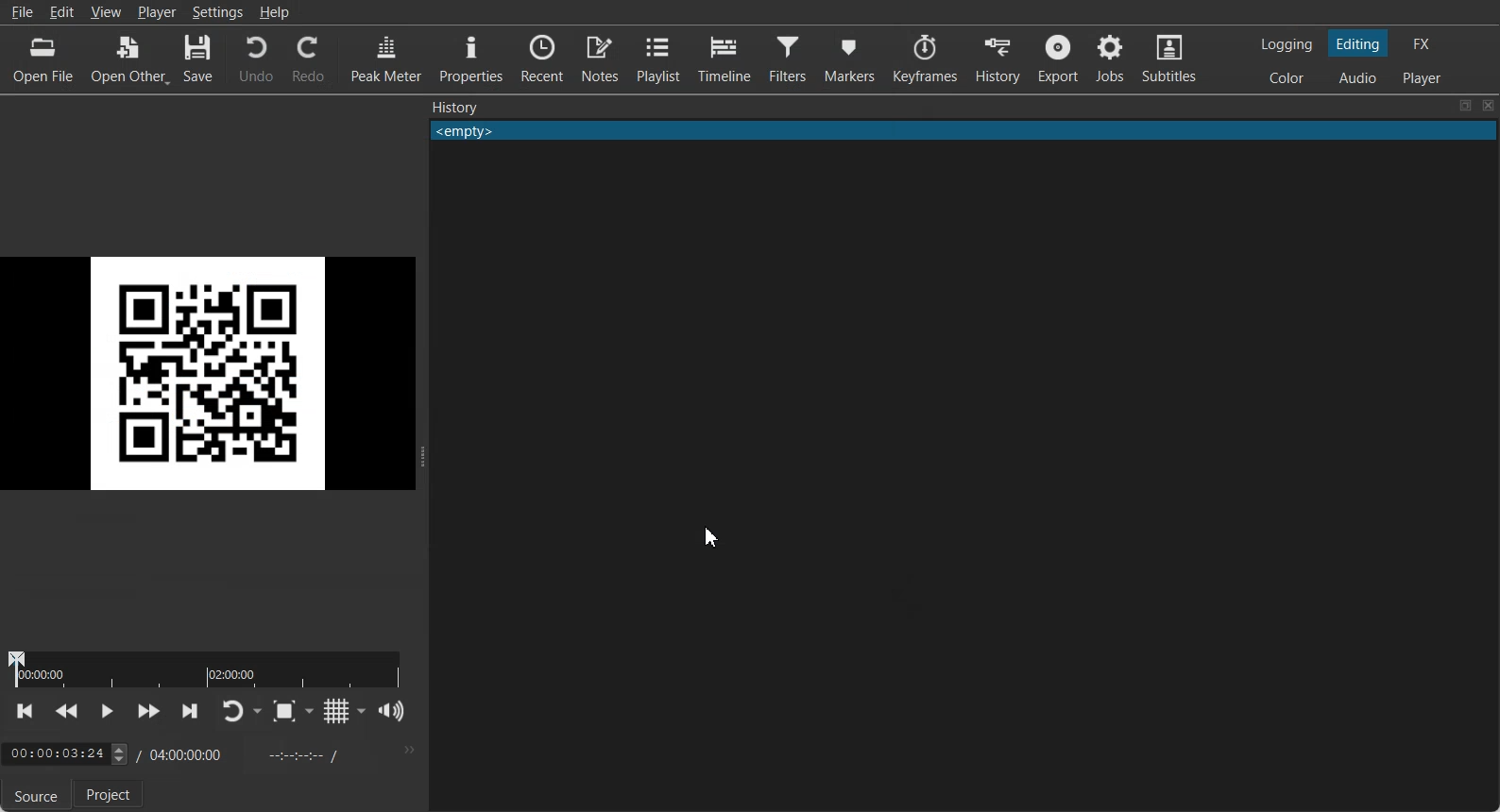  What do you see at coordinates (1356, 43) in the screenshot?
I see `Switching to Editing Layout` at bounding box center [1356, 43].